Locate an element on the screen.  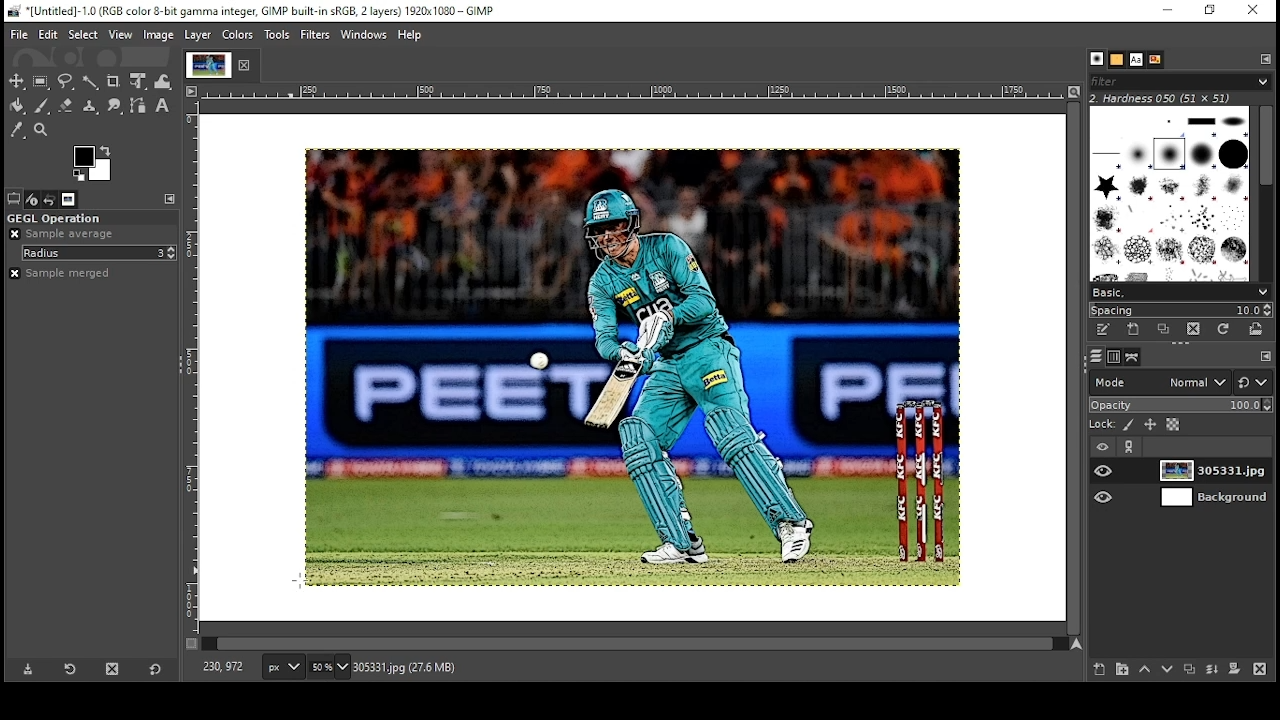
duplicate layer is located at coordinates (1192, 670).